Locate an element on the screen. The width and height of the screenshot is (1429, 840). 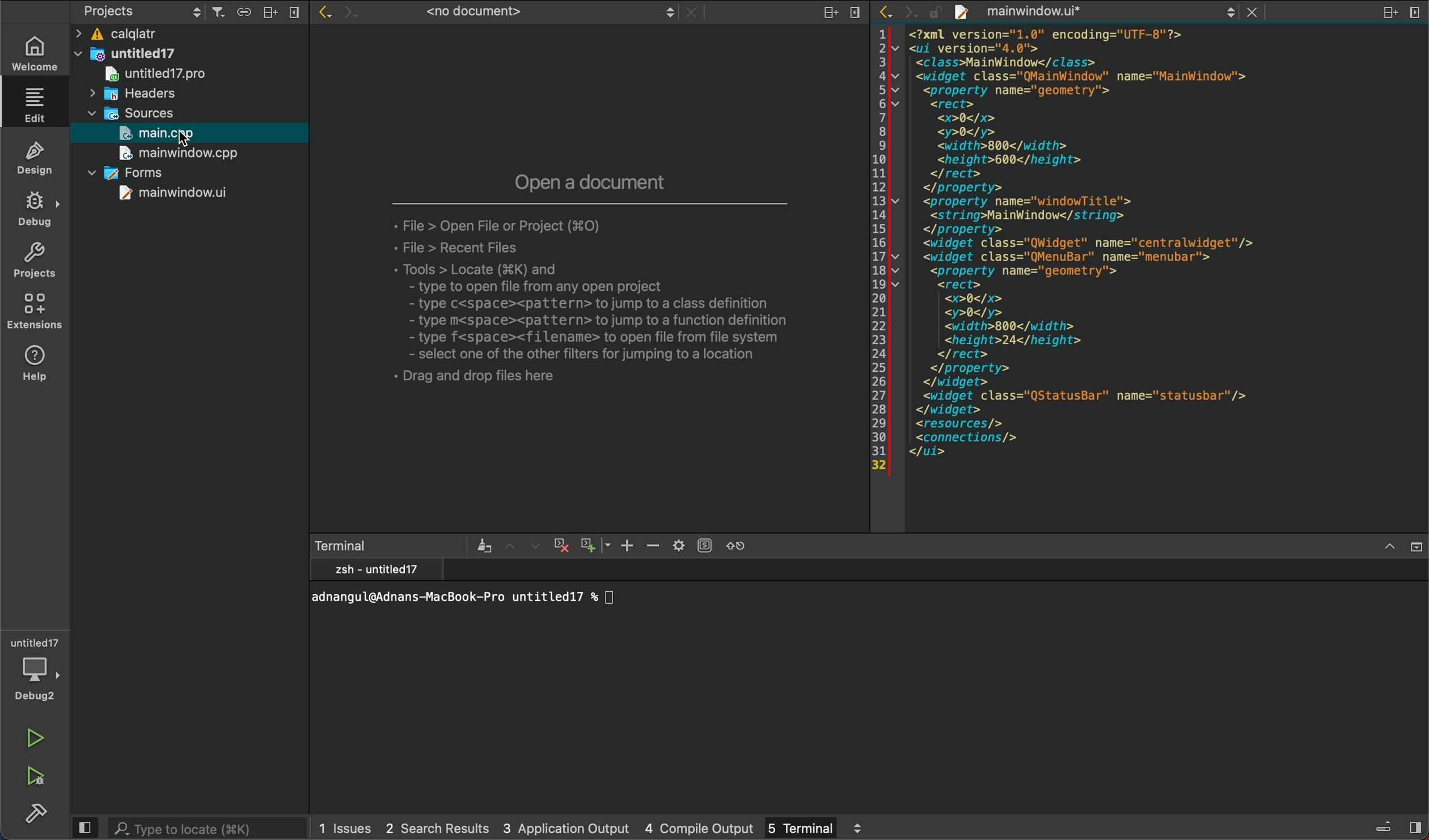
terminal is located at coordinates (870, 684).